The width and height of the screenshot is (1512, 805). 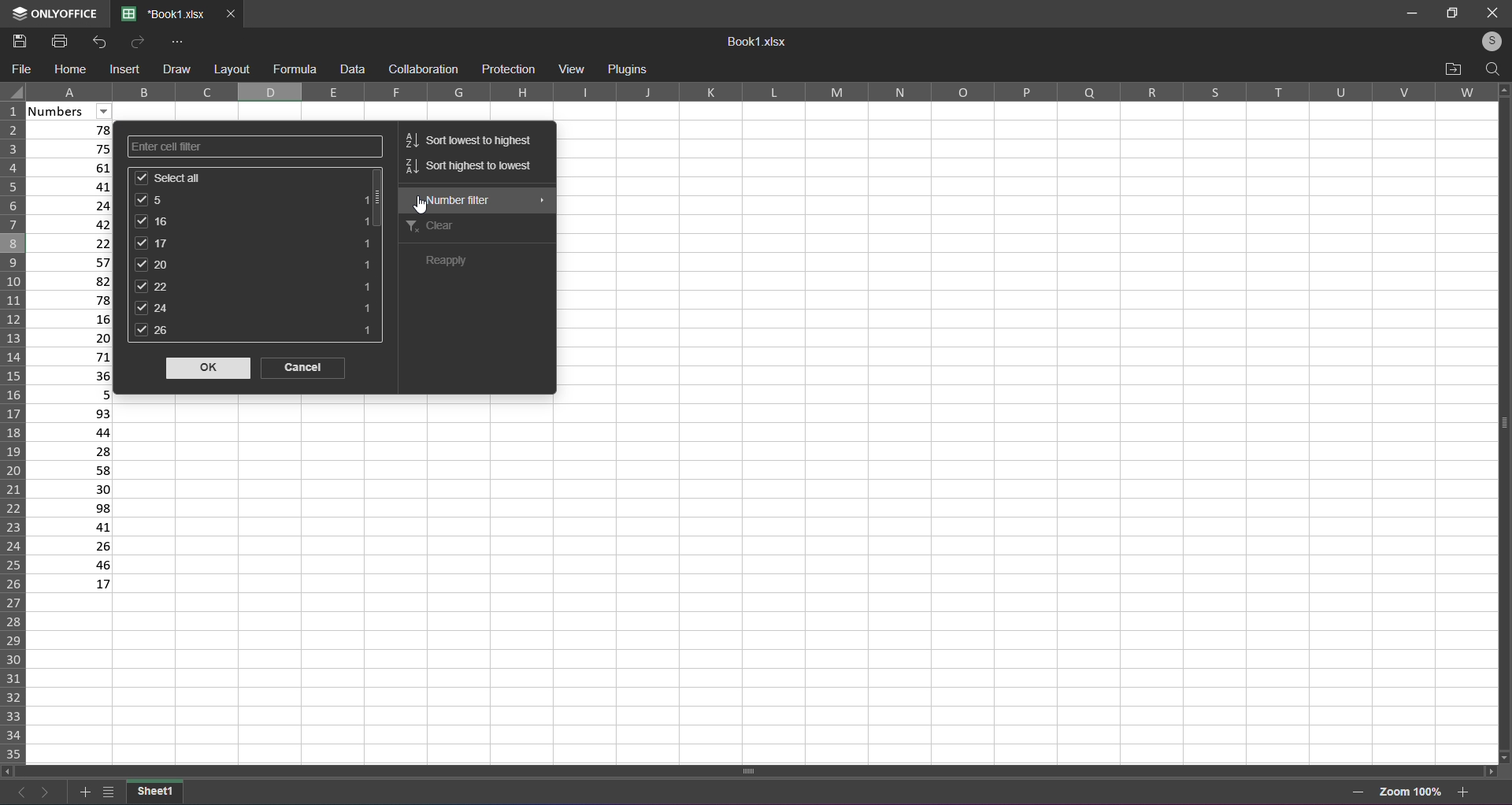 I want to click on Vertical scroll bar, so click(x=1498, y=421).